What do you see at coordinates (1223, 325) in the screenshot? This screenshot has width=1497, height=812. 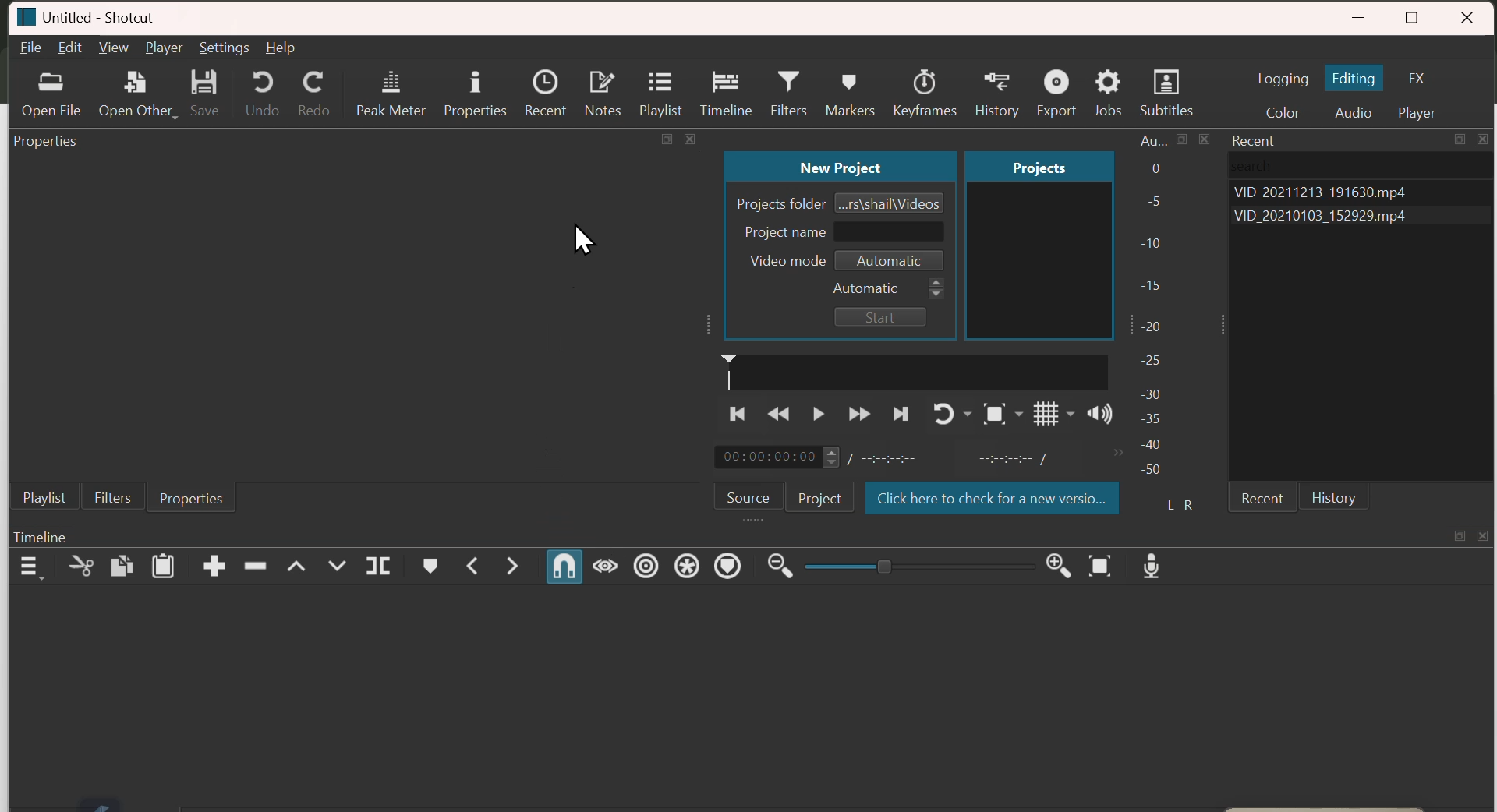 I see `Drag Handle` at bounding box center [1223, 325].